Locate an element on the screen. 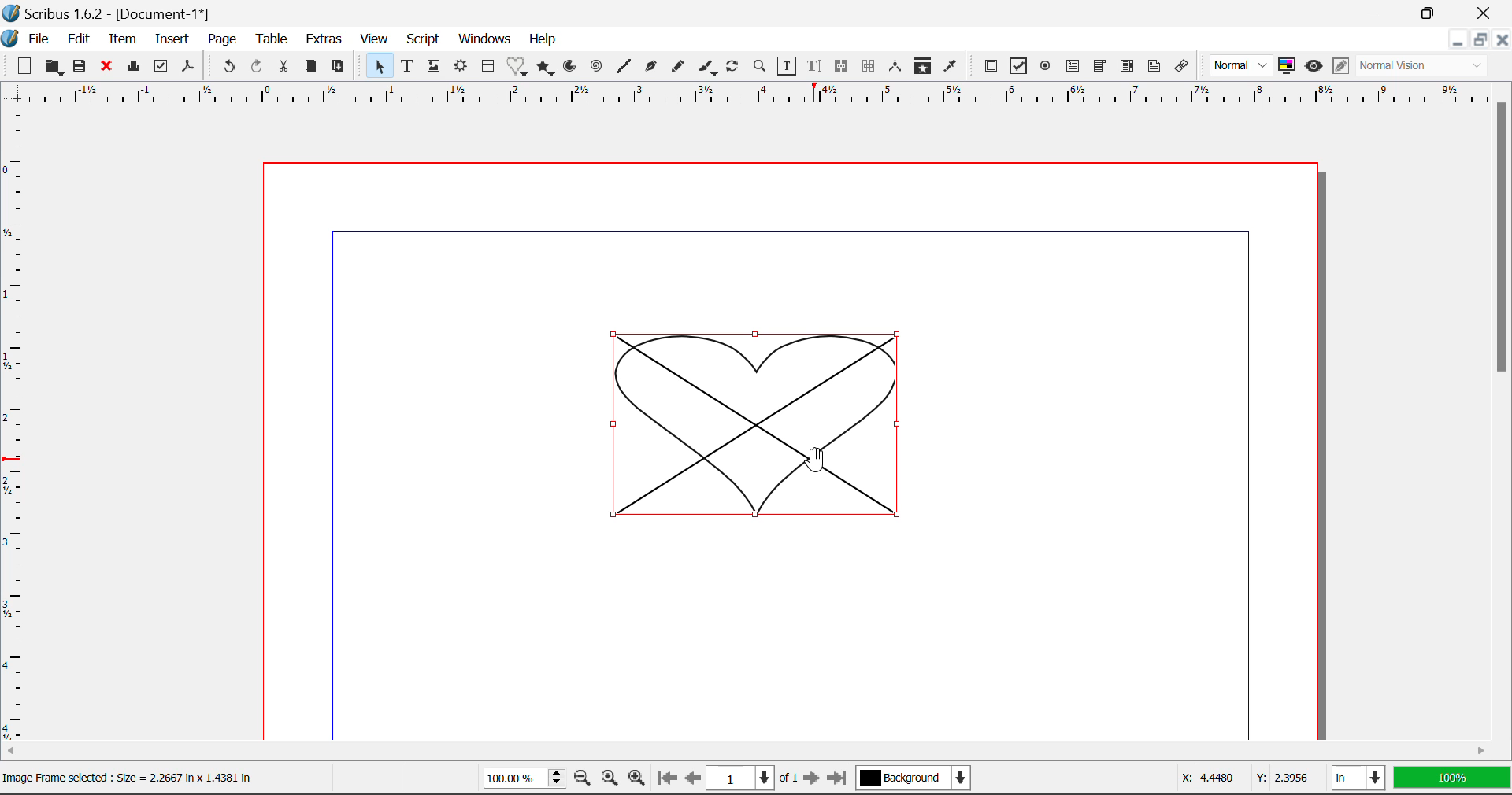  Link Text Frames is located at coordinates (844, 65).